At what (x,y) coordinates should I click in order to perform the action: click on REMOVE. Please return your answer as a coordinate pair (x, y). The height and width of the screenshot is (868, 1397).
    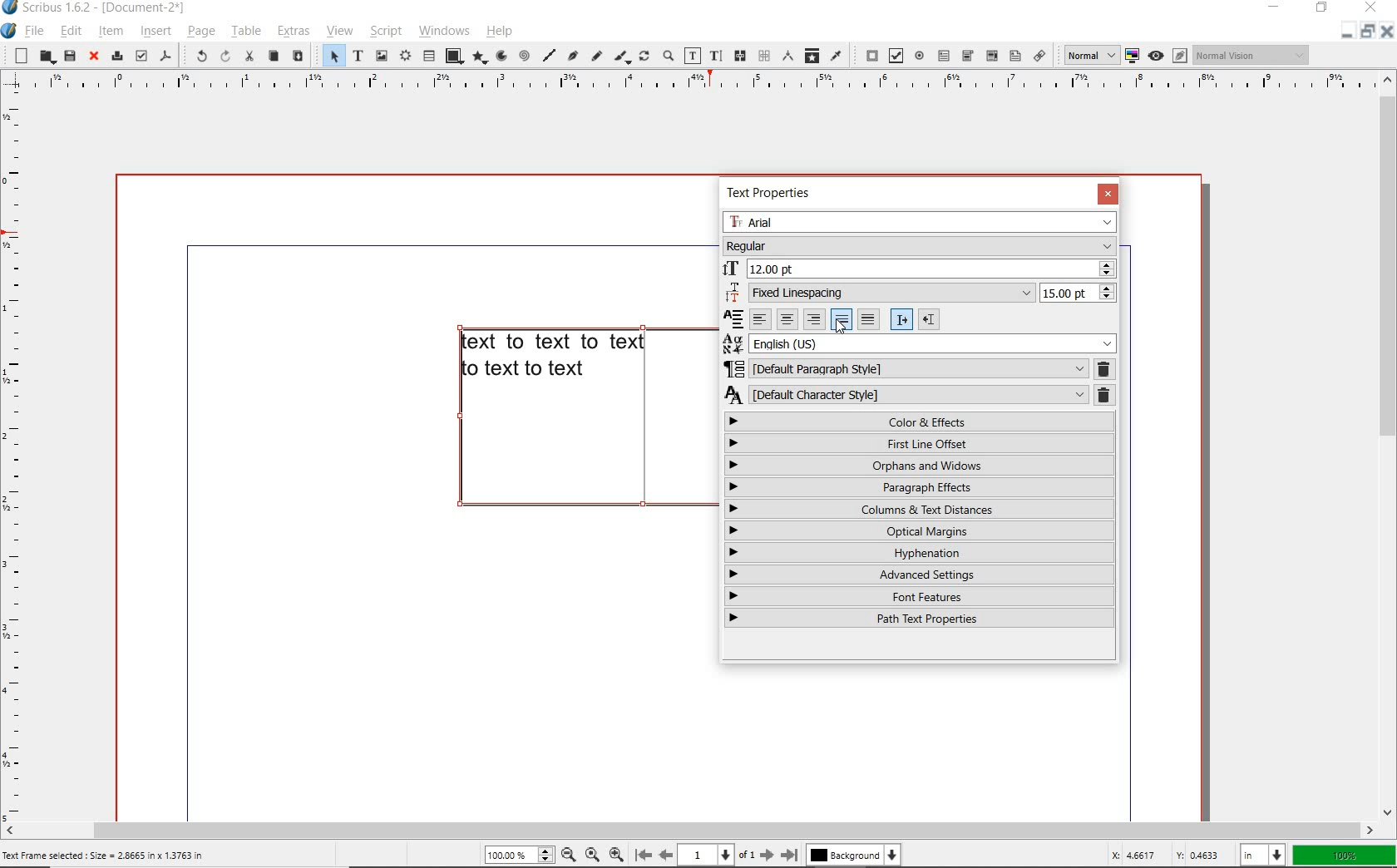
    Looking at the image, I should click on (1103, 368).